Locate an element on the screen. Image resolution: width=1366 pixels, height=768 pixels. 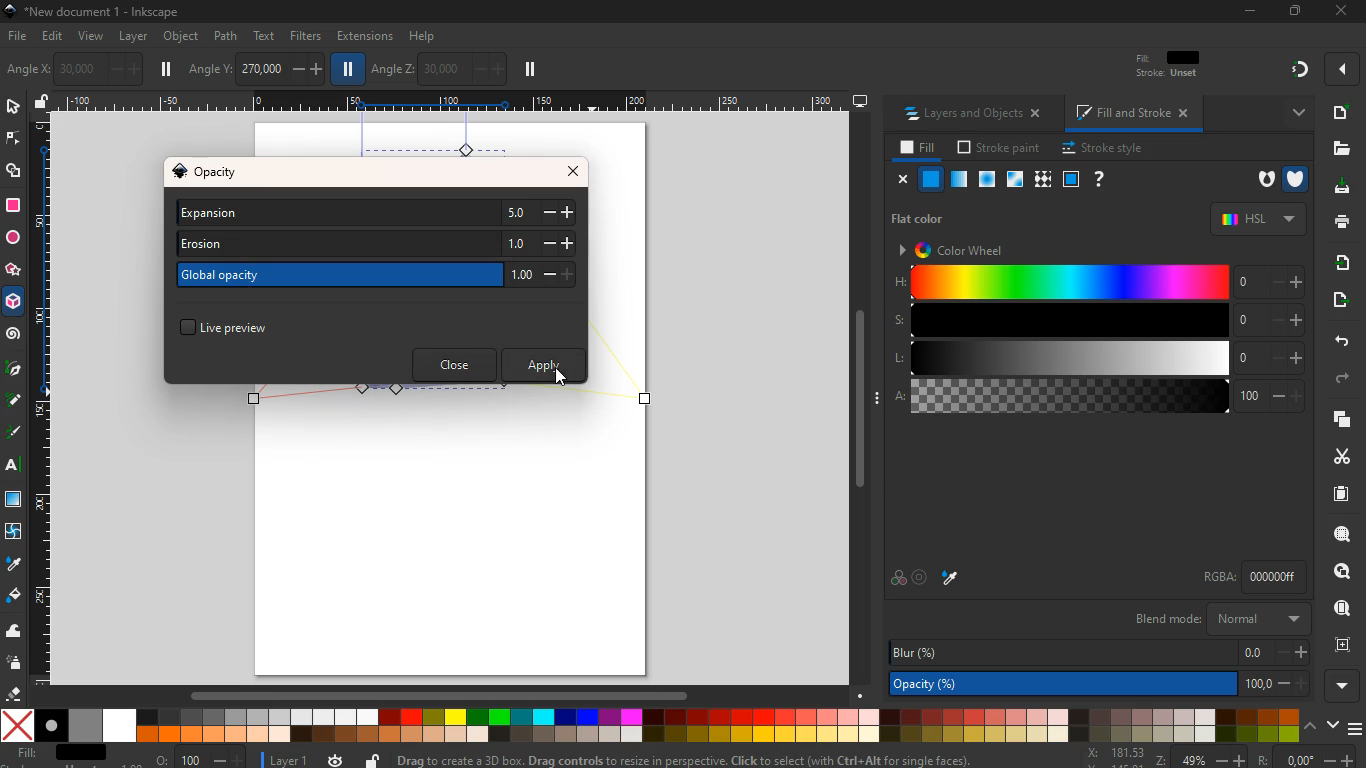
filters is located at coordinates (302, 37).